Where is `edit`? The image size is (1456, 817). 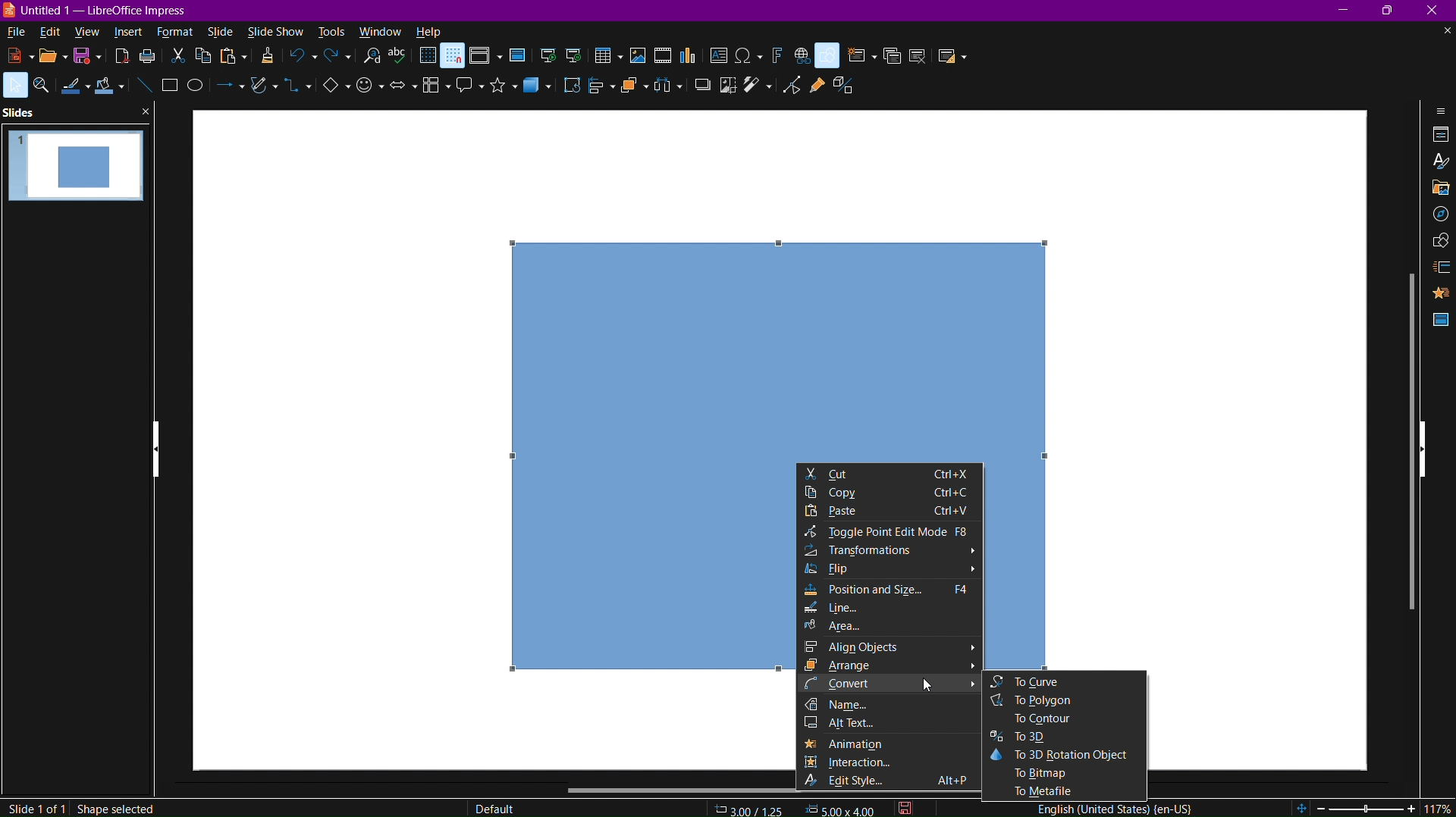
edit is located at coordinates (49, 32).